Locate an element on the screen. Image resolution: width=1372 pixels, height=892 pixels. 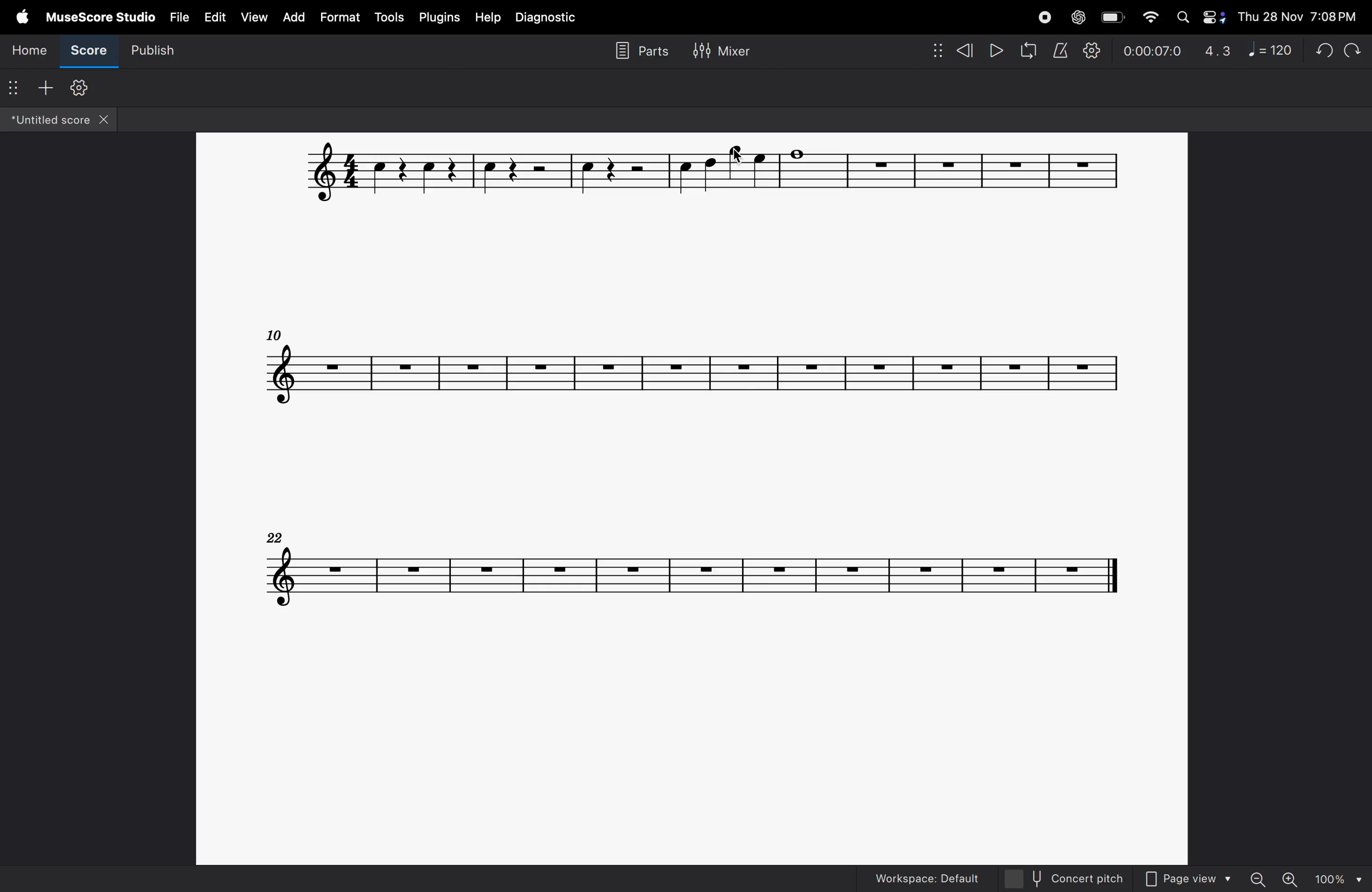
concert pitch is located at coordinates (1060, 876).